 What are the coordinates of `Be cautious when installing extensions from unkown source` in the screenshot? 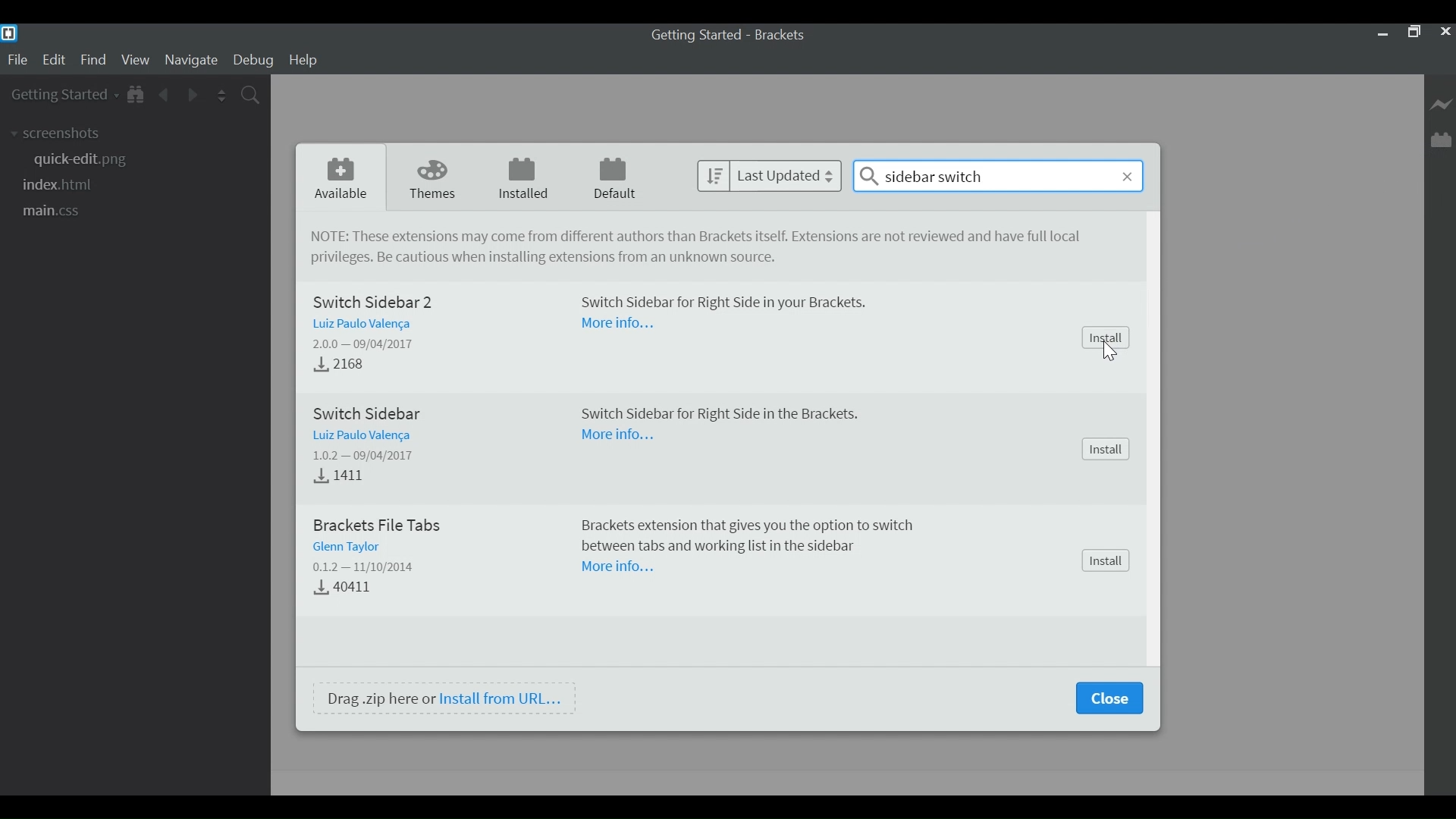 It's located at (542, 259).